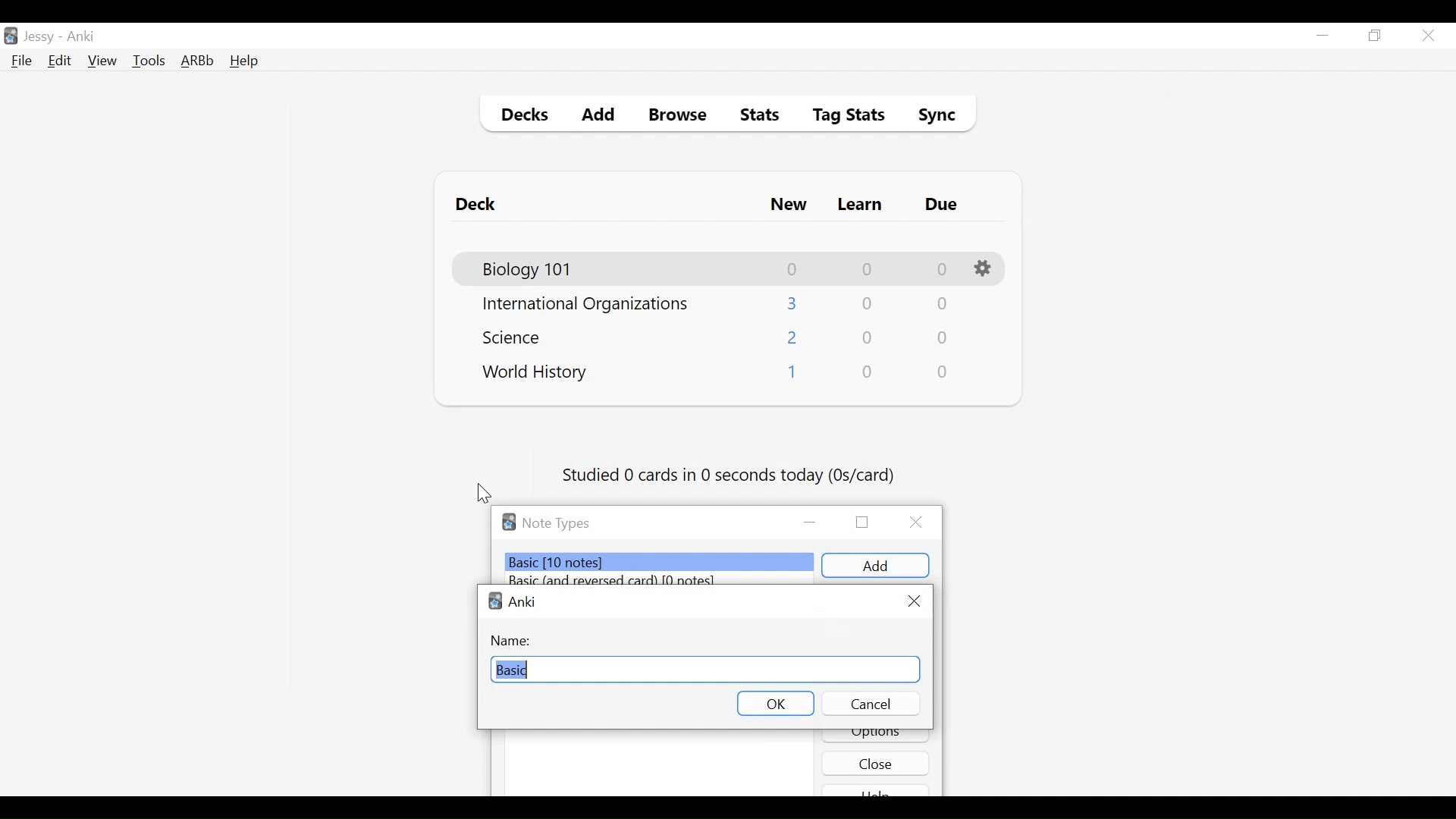  I want to click on New, so click(789, 206).